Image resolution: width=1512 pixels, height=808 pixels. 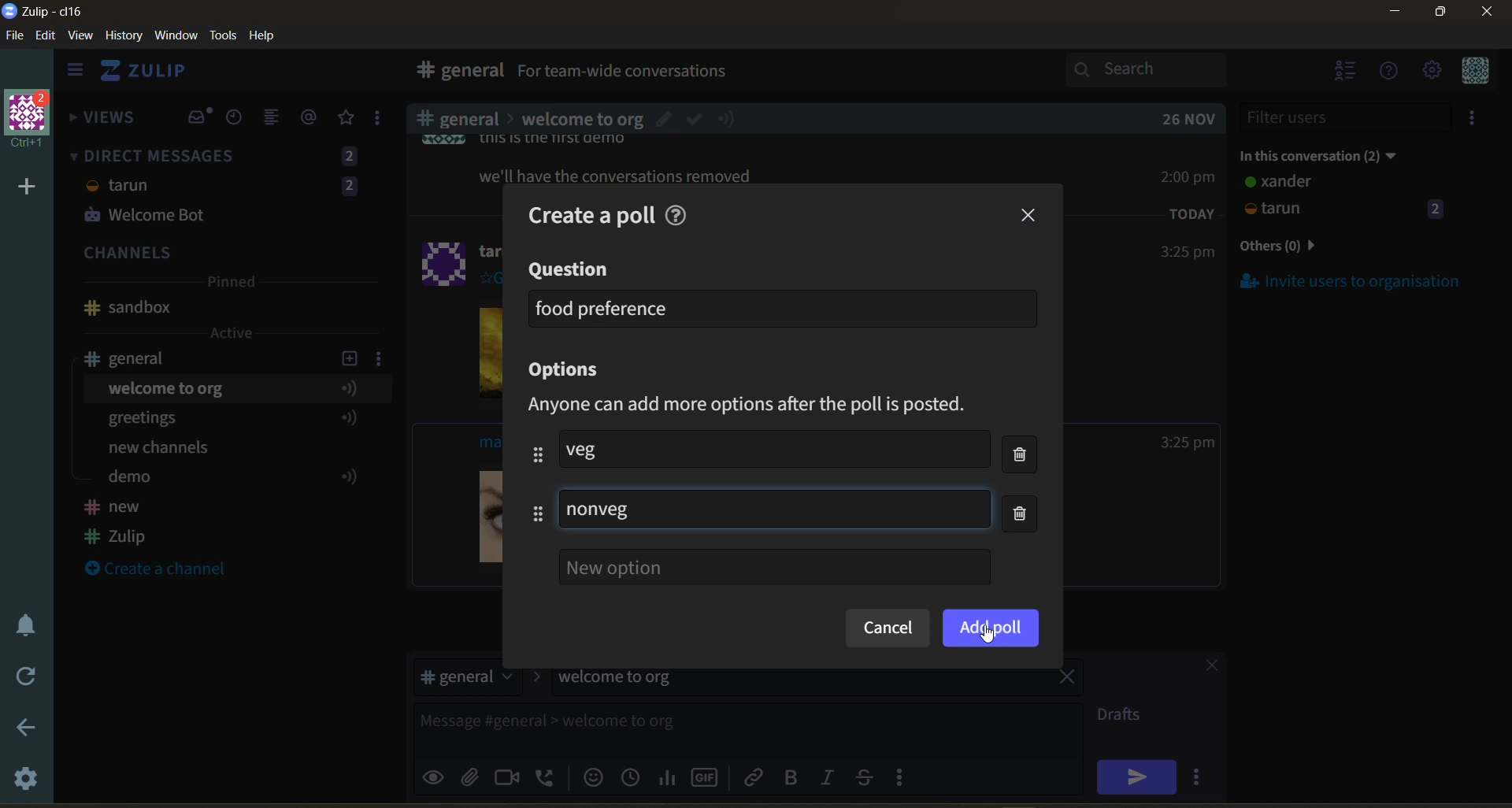 I want to click on , so click(x=445, y=261).